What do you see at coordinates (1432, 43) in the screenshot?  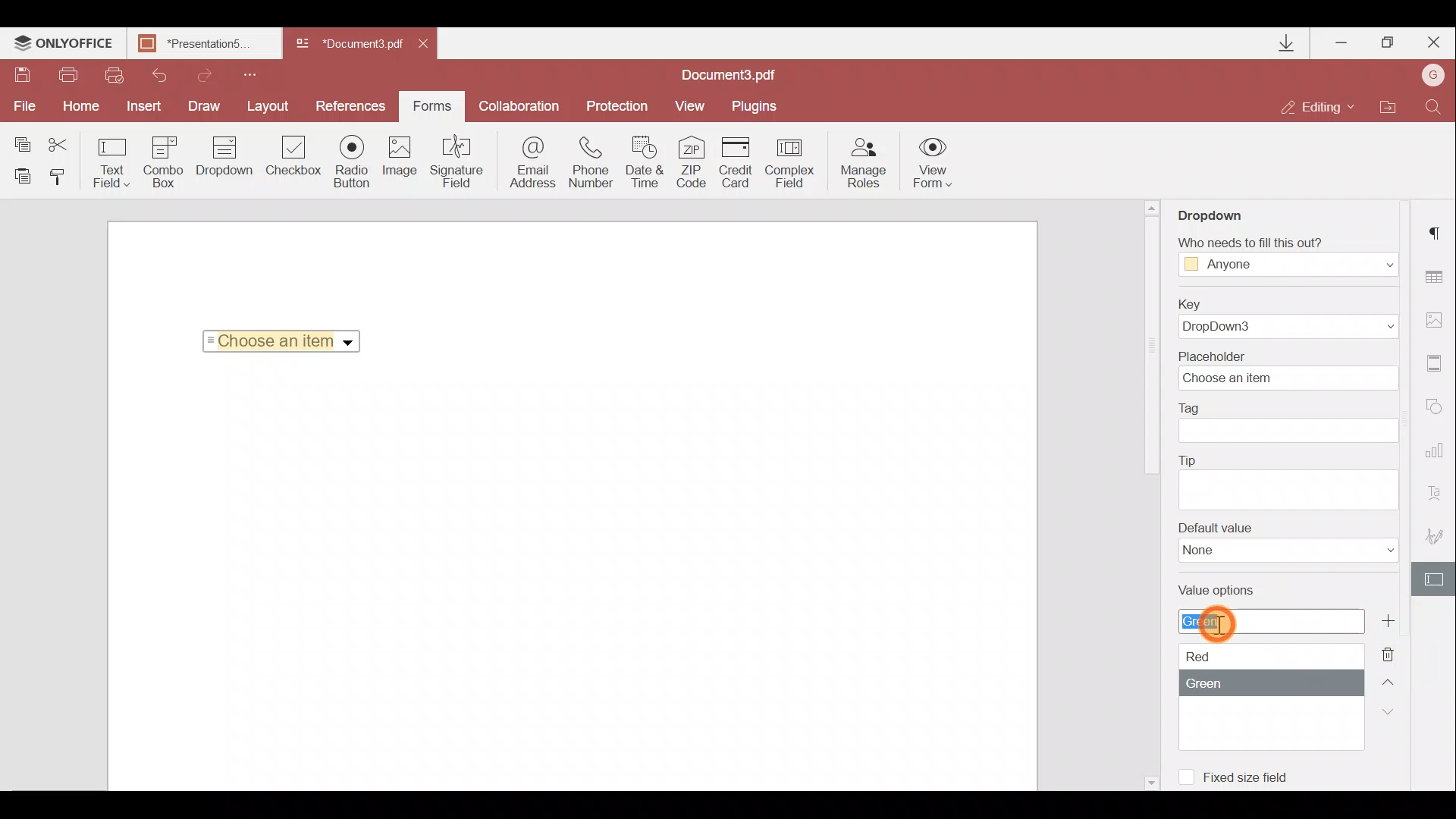 I see `Close` at bounding box center [1432, 43].